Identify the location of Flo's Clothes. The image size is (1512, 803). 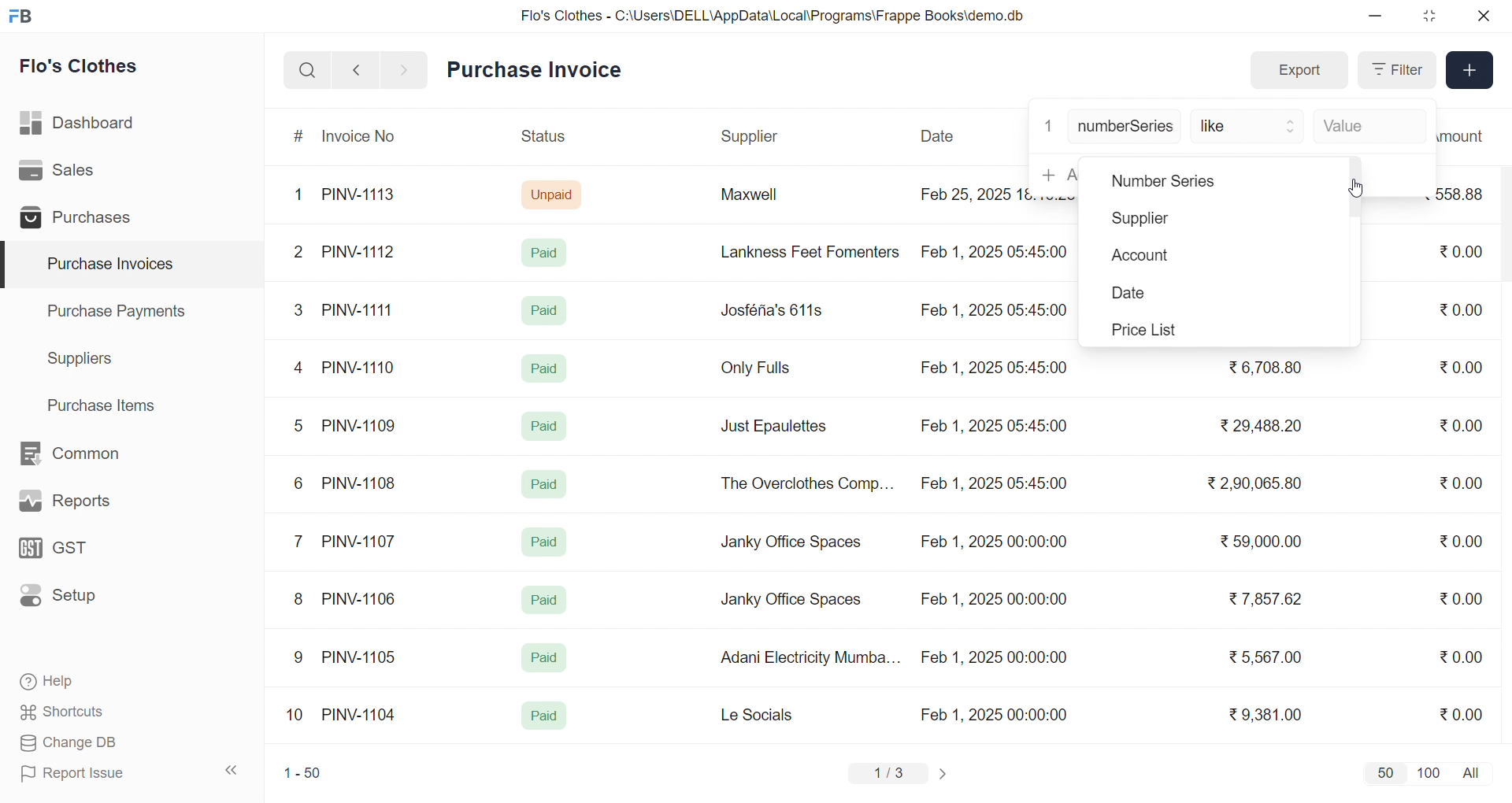
(90, 68).